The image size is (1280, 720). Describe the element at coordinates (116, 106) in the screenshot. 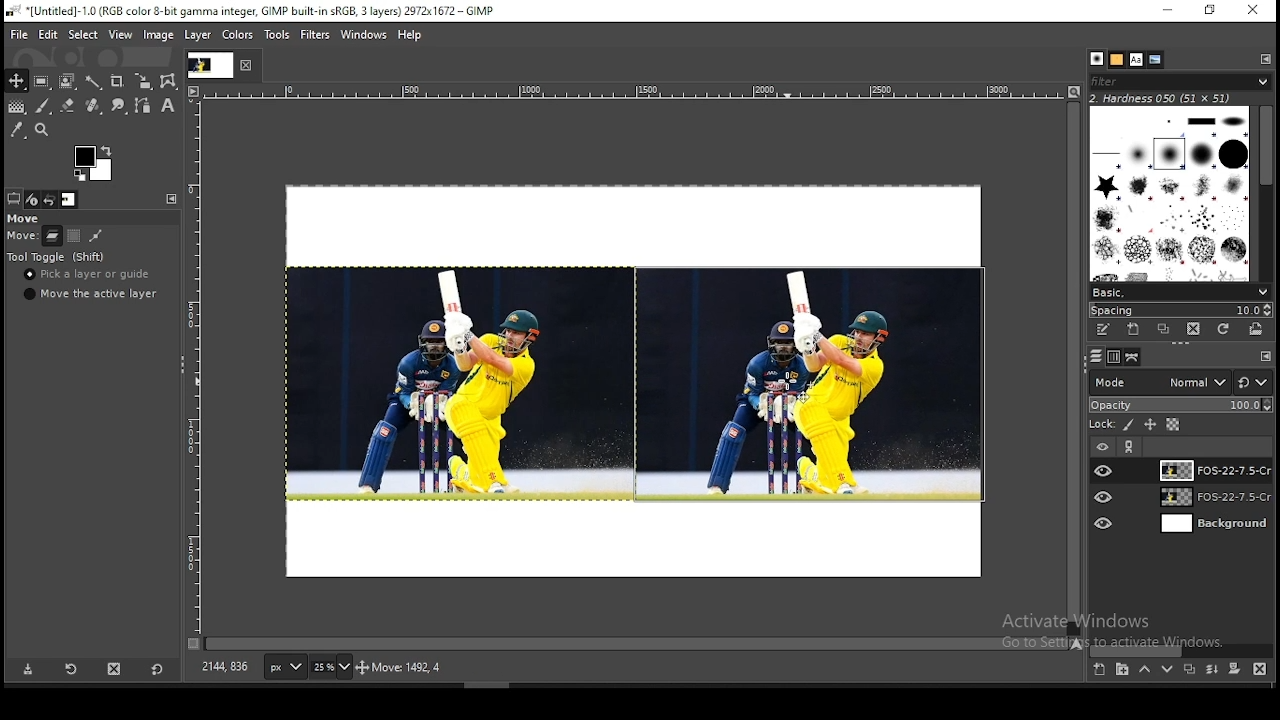

I see `smudge tool` at that location.